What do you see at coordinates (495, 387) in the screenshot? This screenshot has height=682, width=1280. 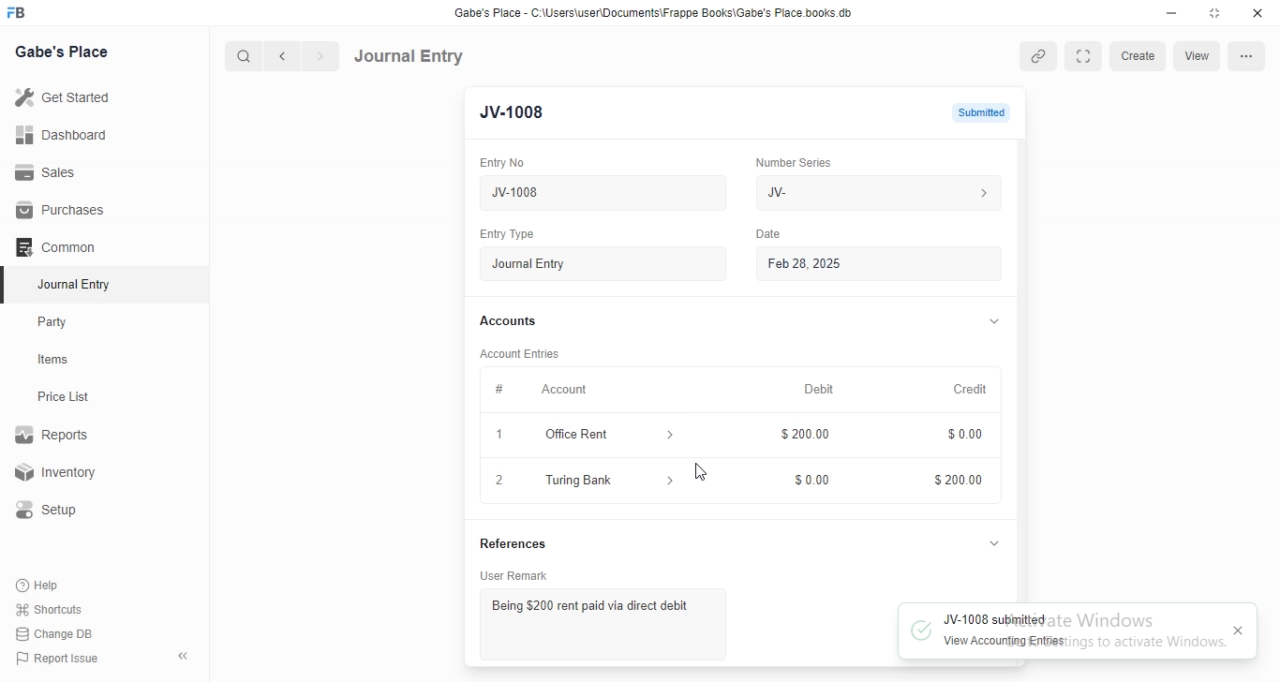 I see `` at bounding box center [495, 387].